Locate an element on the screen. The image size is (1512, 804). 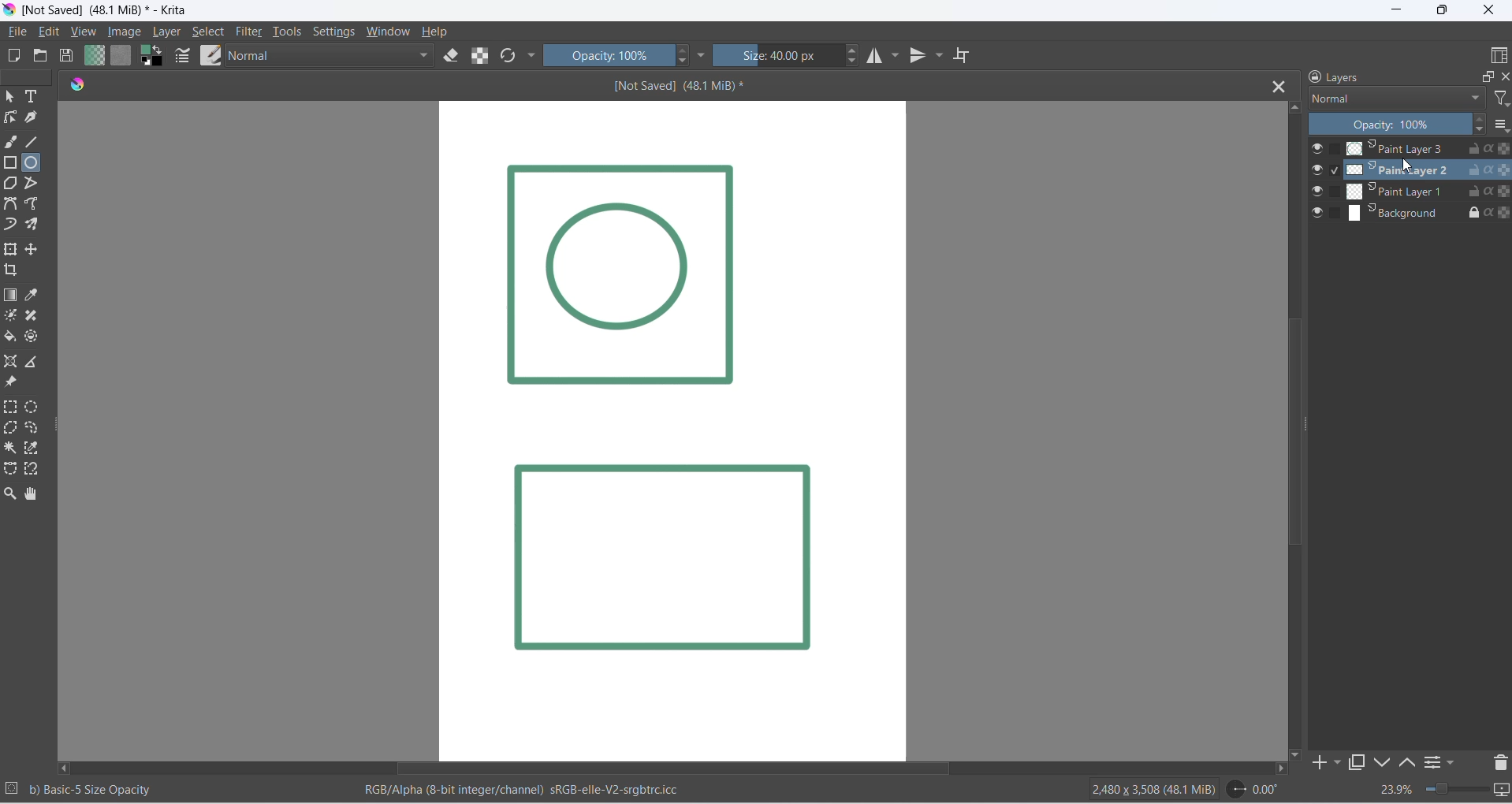
Preserver alpha is located at coordinates (1498, 169).